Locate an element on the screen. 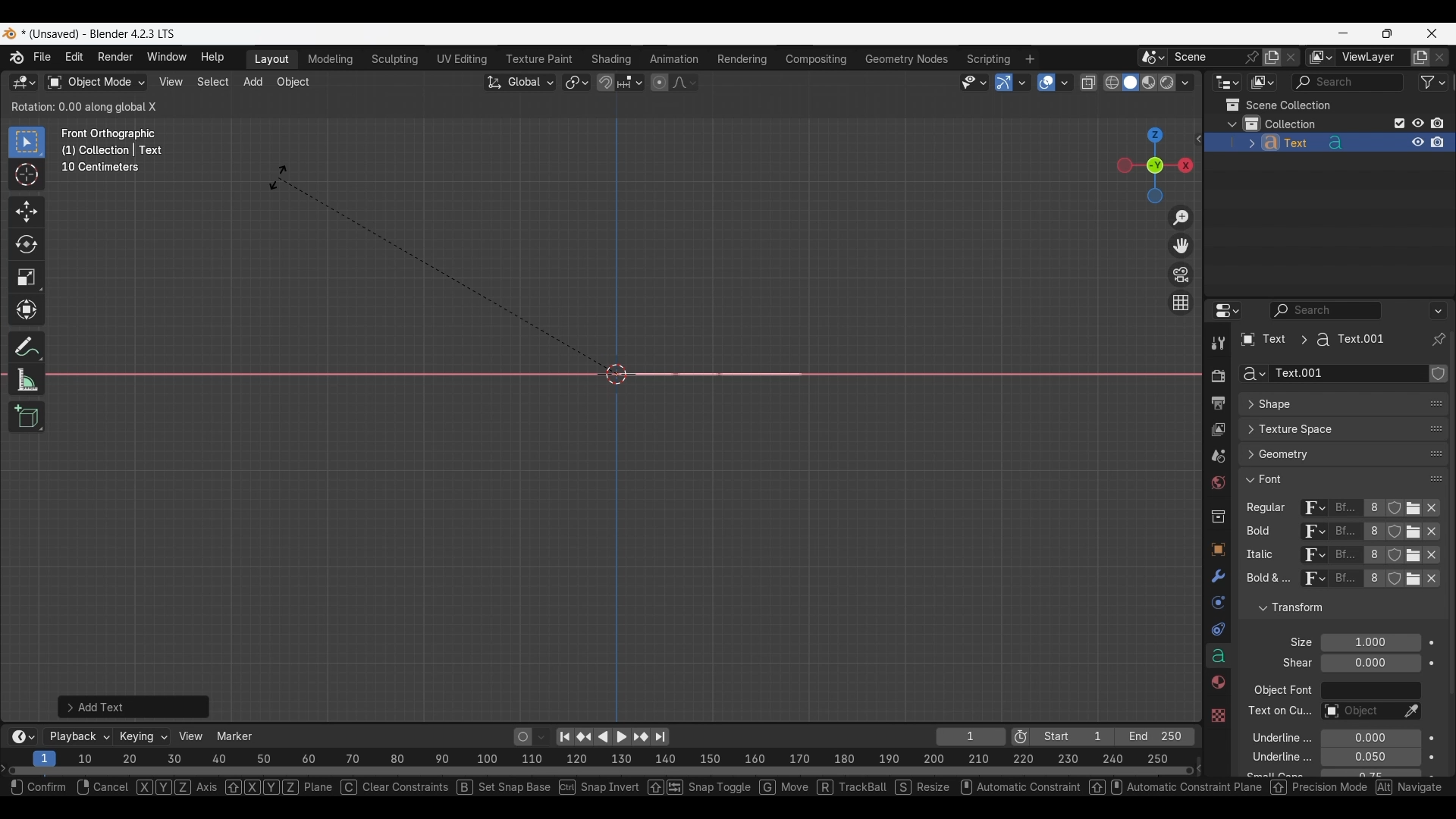 Image resolution: width=1456 pixels, height=819 pixels. World is located at coordinates (1217, 484).